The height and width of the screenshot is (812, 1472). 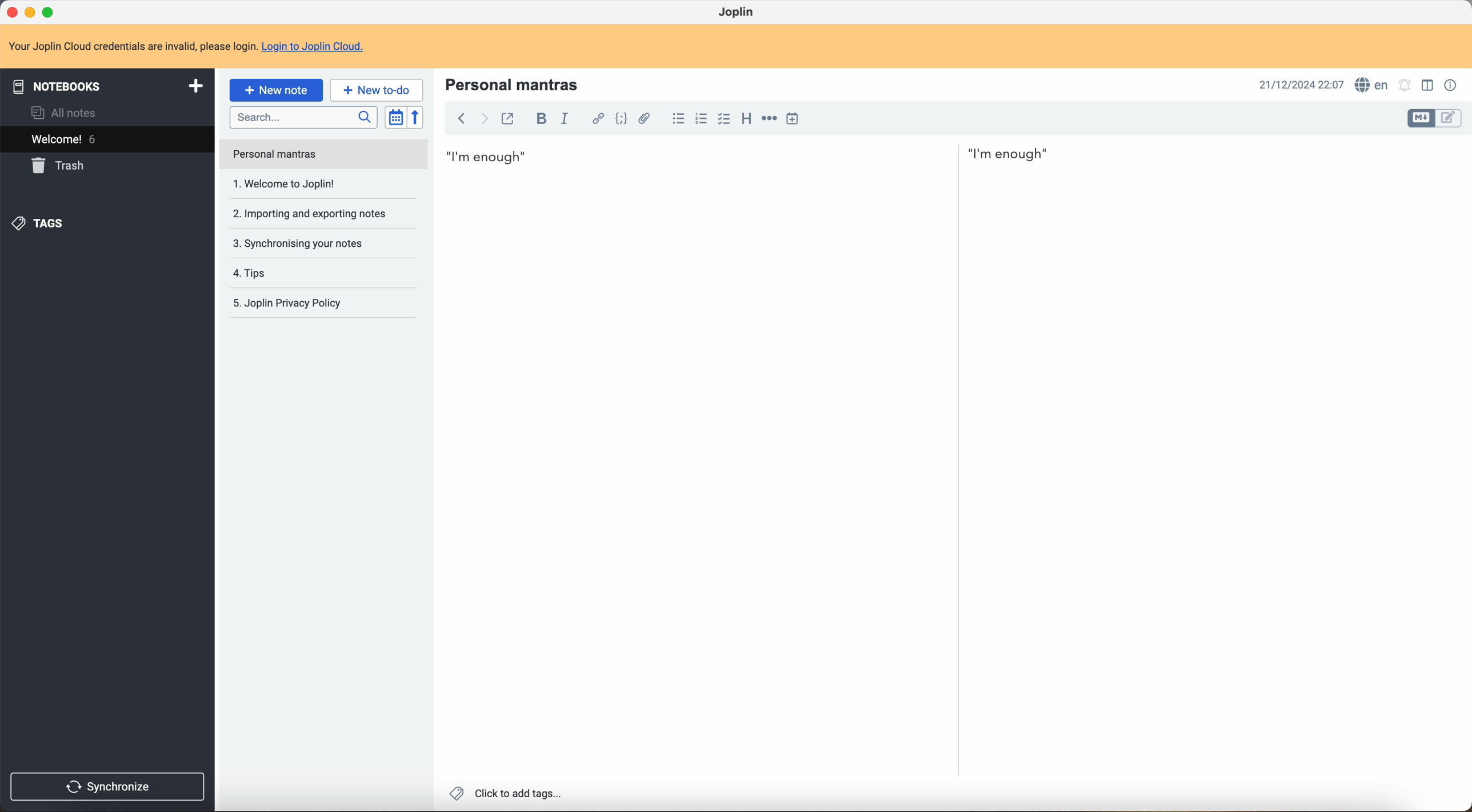 What do you see at coordinates (485, 119) in the screenshot?
I see `foward` at bounding box center [485, 119].